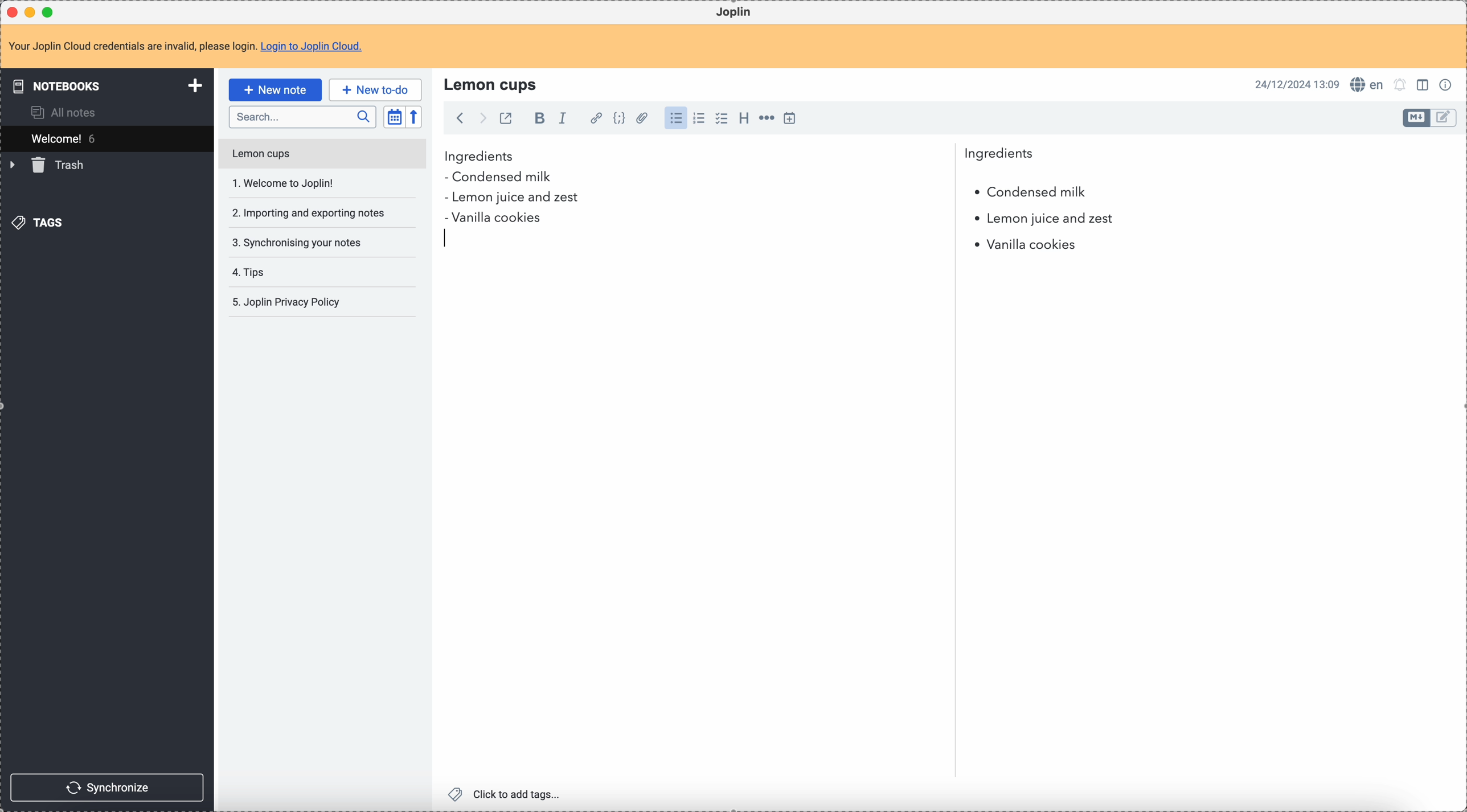  Describe the element at coordinates (274, 88) in the screenshot. I see `click on new note` at that location.